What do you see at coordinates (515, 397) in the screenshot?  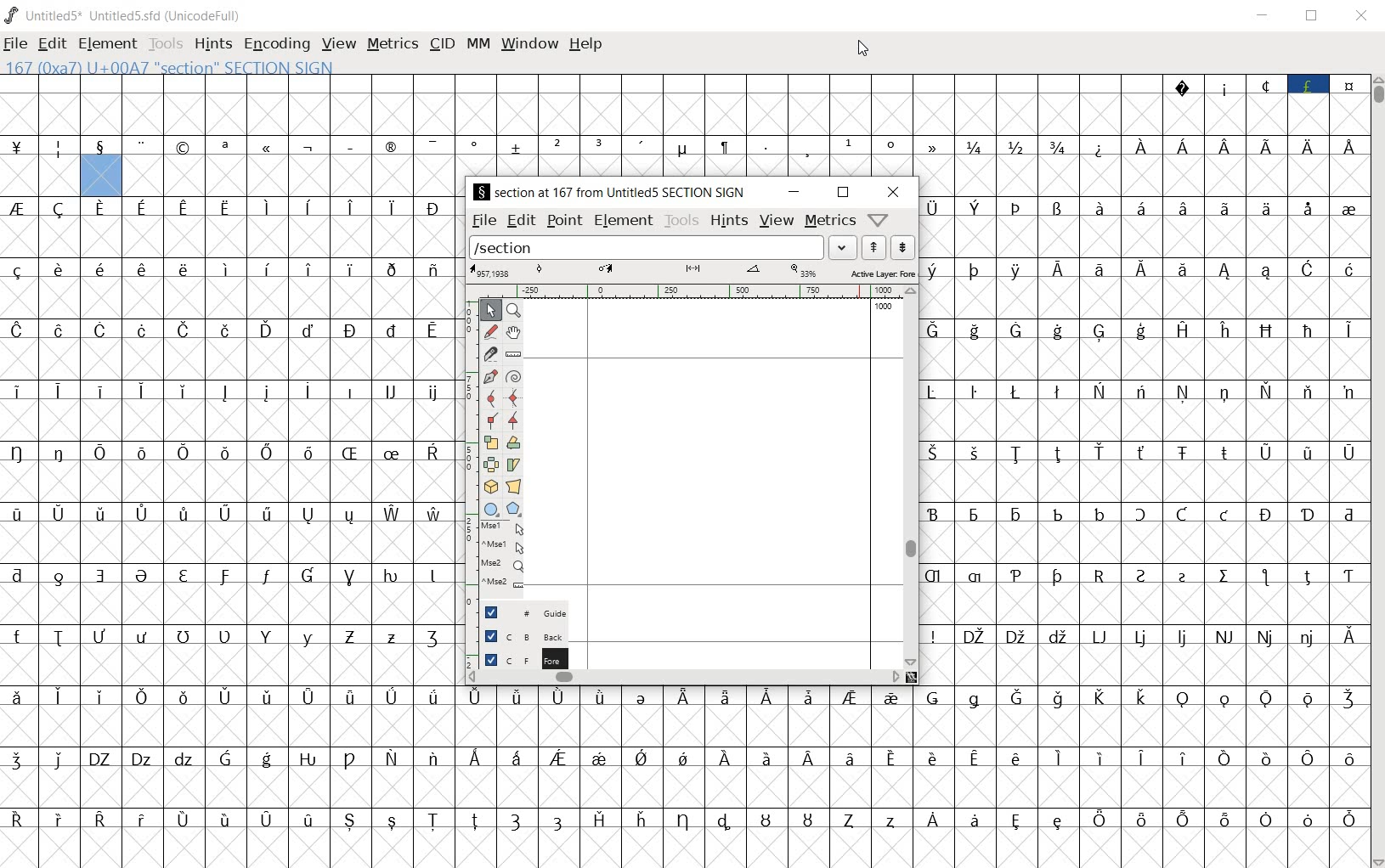 I see `add a curve point always either horizontal or vertical` at bounding box center [515, 397].